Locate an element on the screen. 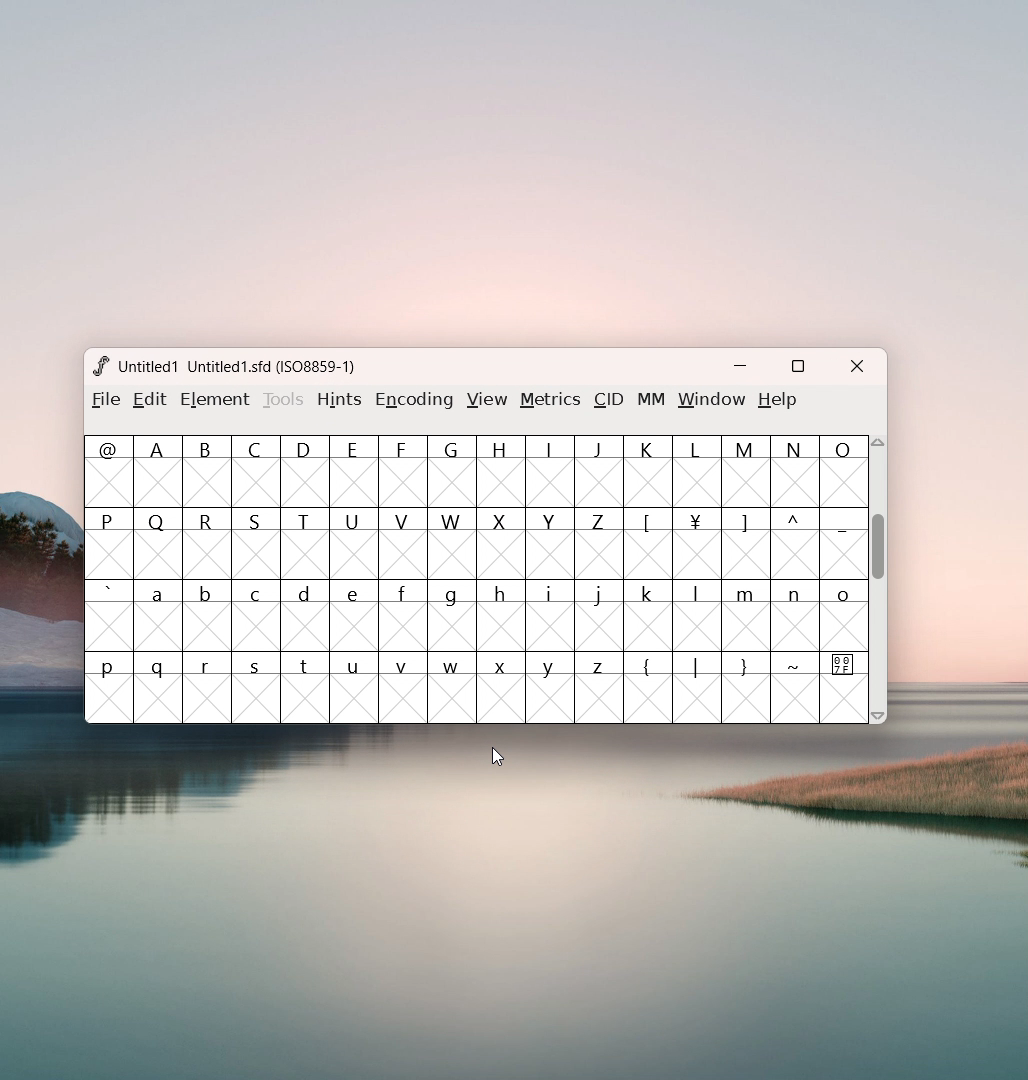 Image resolution: width=1028 pixels, height=1080 pixels. special character is located at coordinates (845, 687).